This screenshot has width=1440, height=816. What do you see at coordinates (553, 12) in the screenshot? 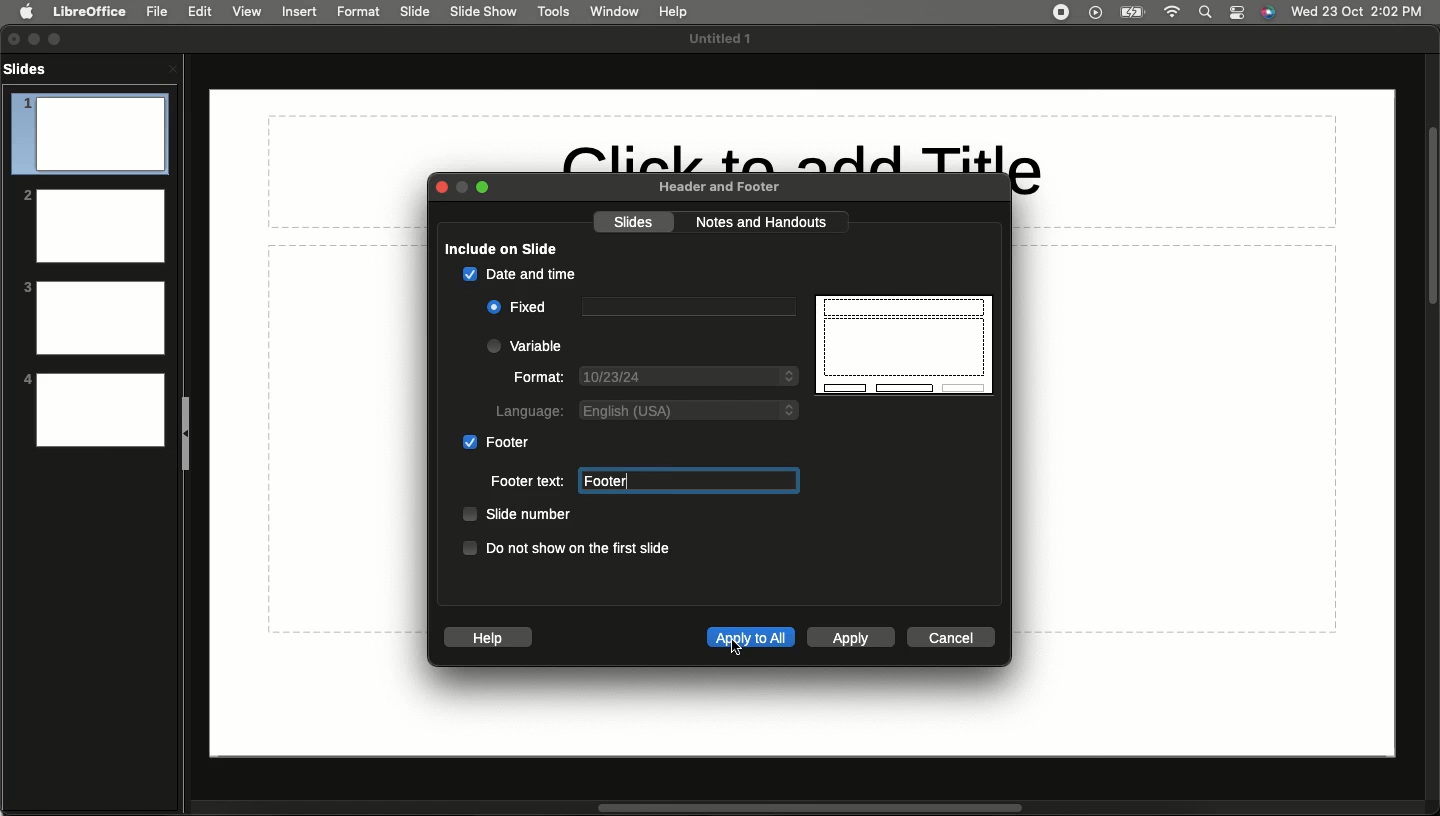
I see `Tools` at bounding box center [553, 12].